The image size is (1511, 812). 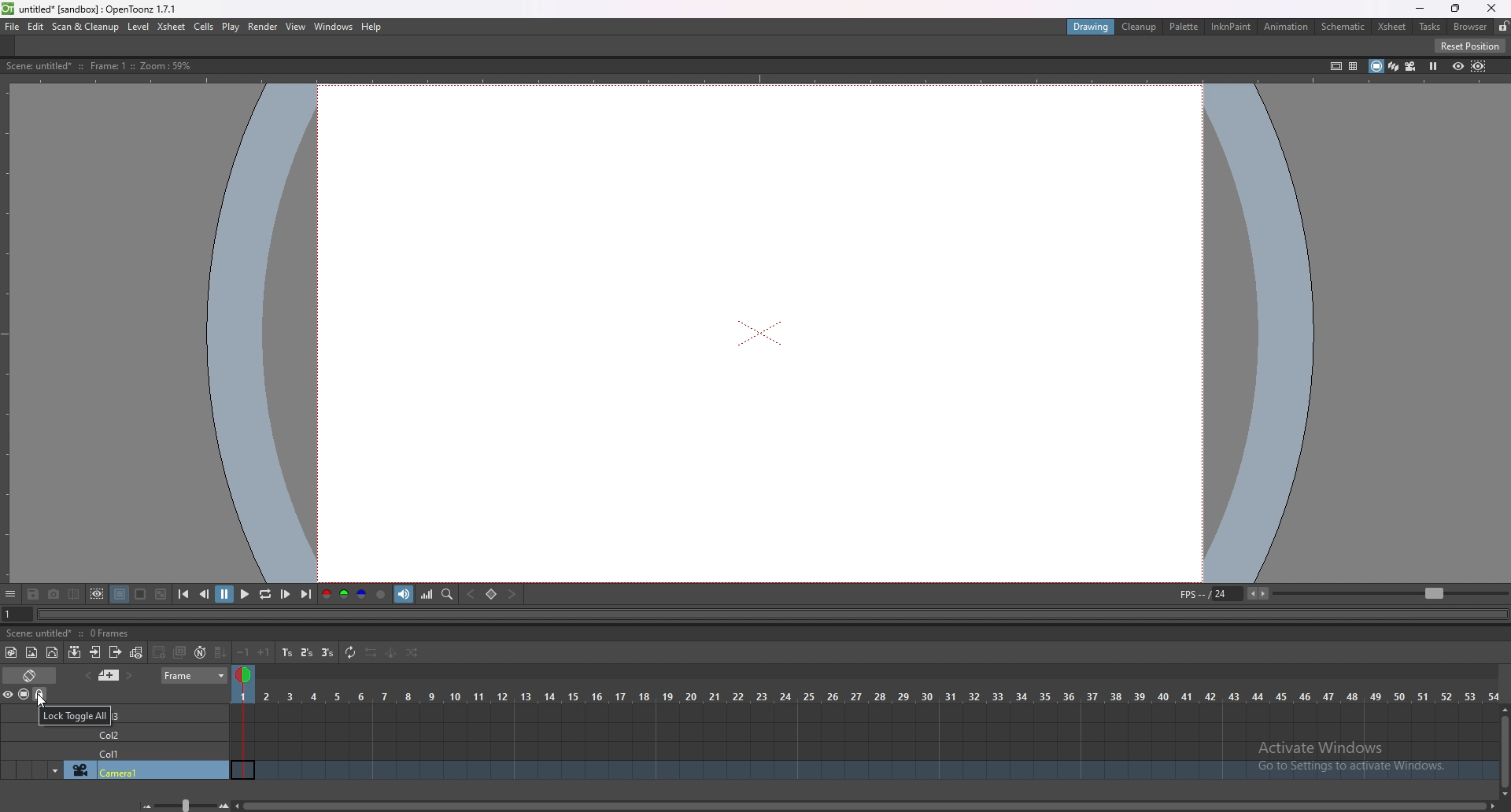 What do you see at coordinates (96, 66) in the screenshot?
I see `description` at bounding box center [96, 66].